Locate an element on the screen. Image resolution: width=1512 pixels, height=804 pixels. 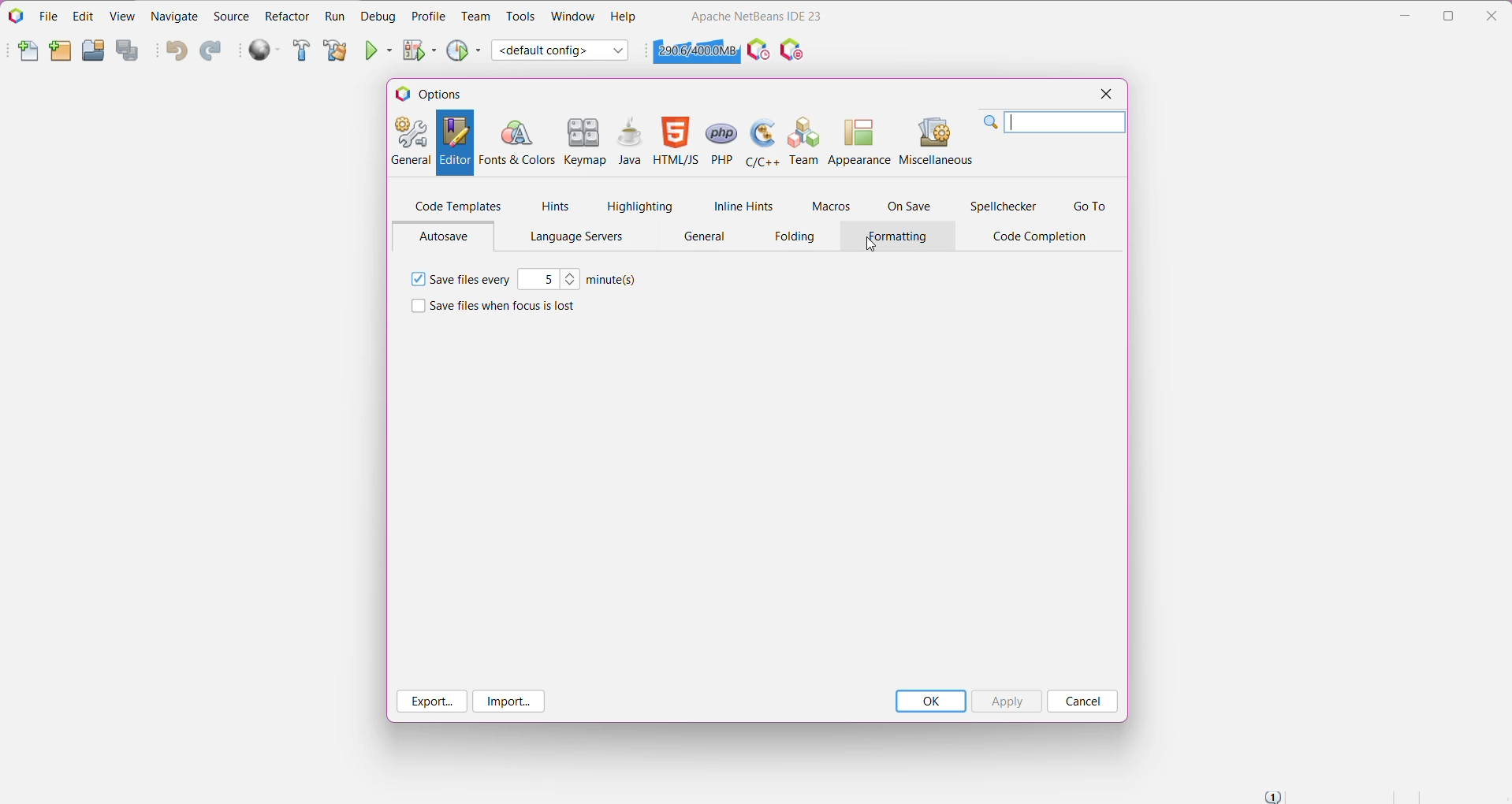
Debug is located at coordinates (377, 16).